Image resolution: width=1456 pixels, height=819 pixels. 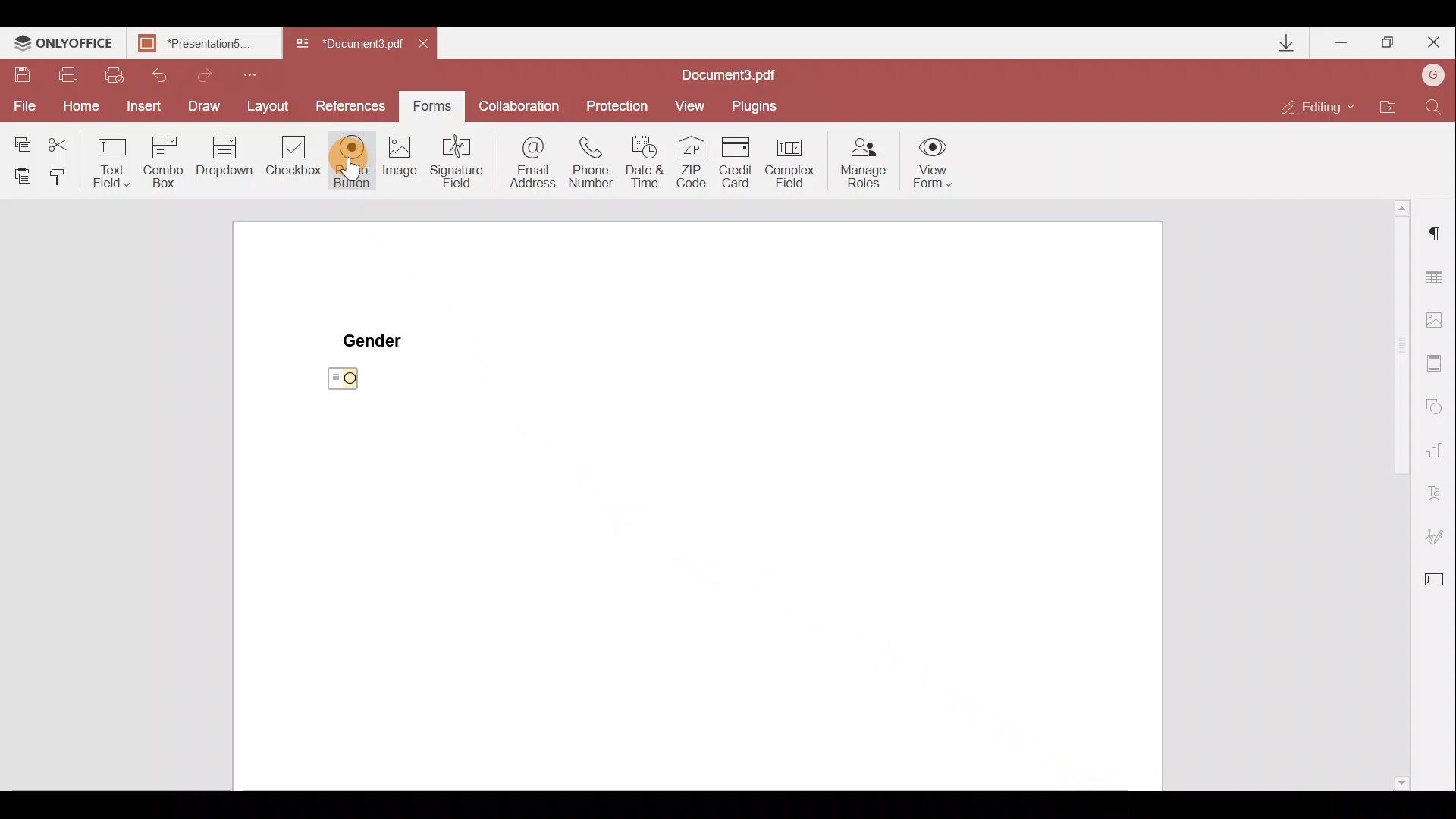 I want to click on Text Art settings, so click(x=1439, y=495).